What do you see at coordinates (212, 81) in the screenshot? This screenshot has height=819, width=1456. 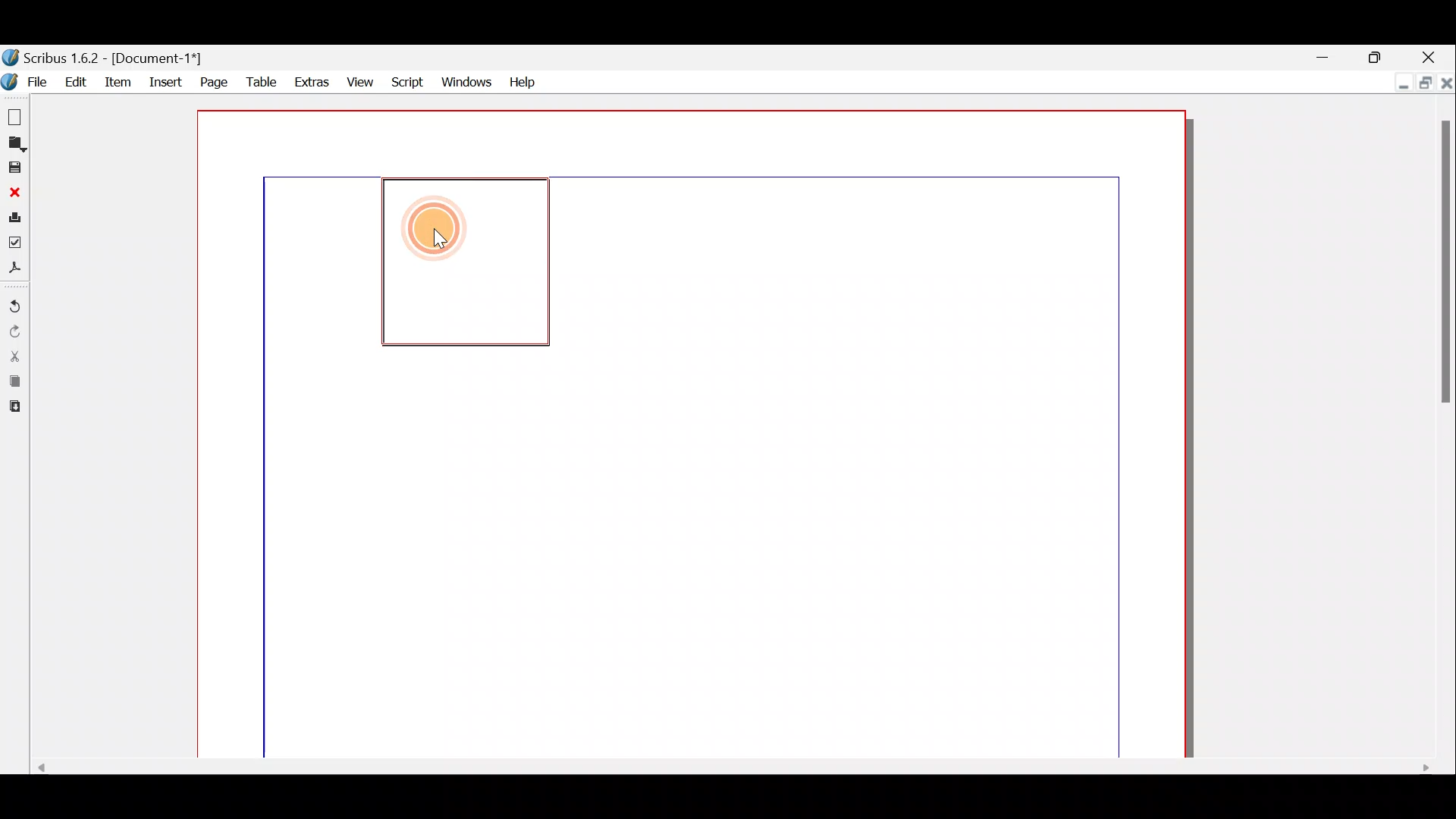 I see `Page` at bounding box center [212, 81].